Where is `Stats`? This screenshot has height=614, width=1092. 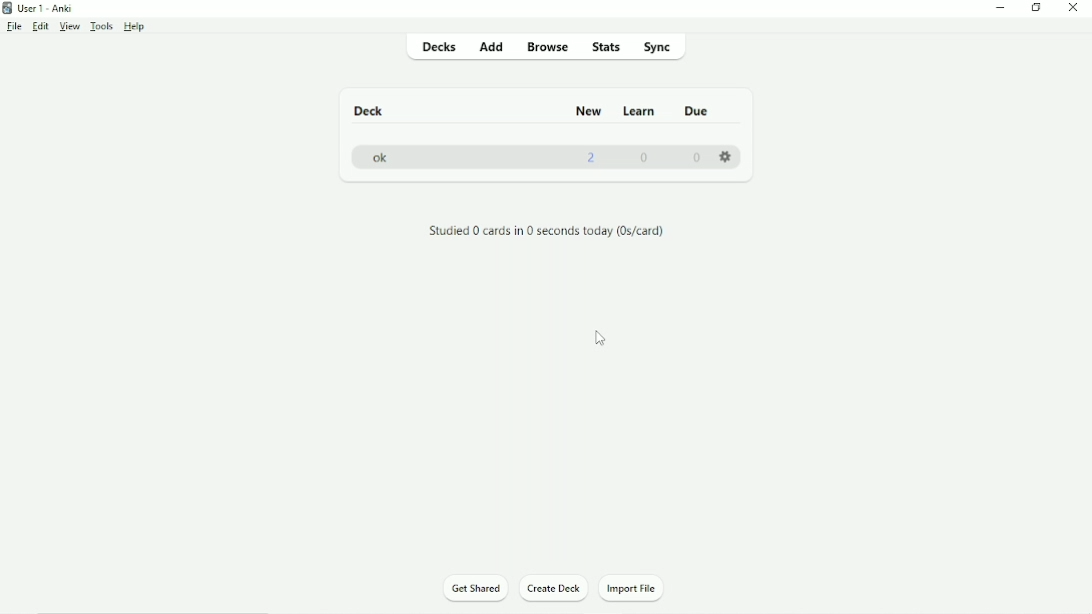 Stats is located at coordinates (608, 46).